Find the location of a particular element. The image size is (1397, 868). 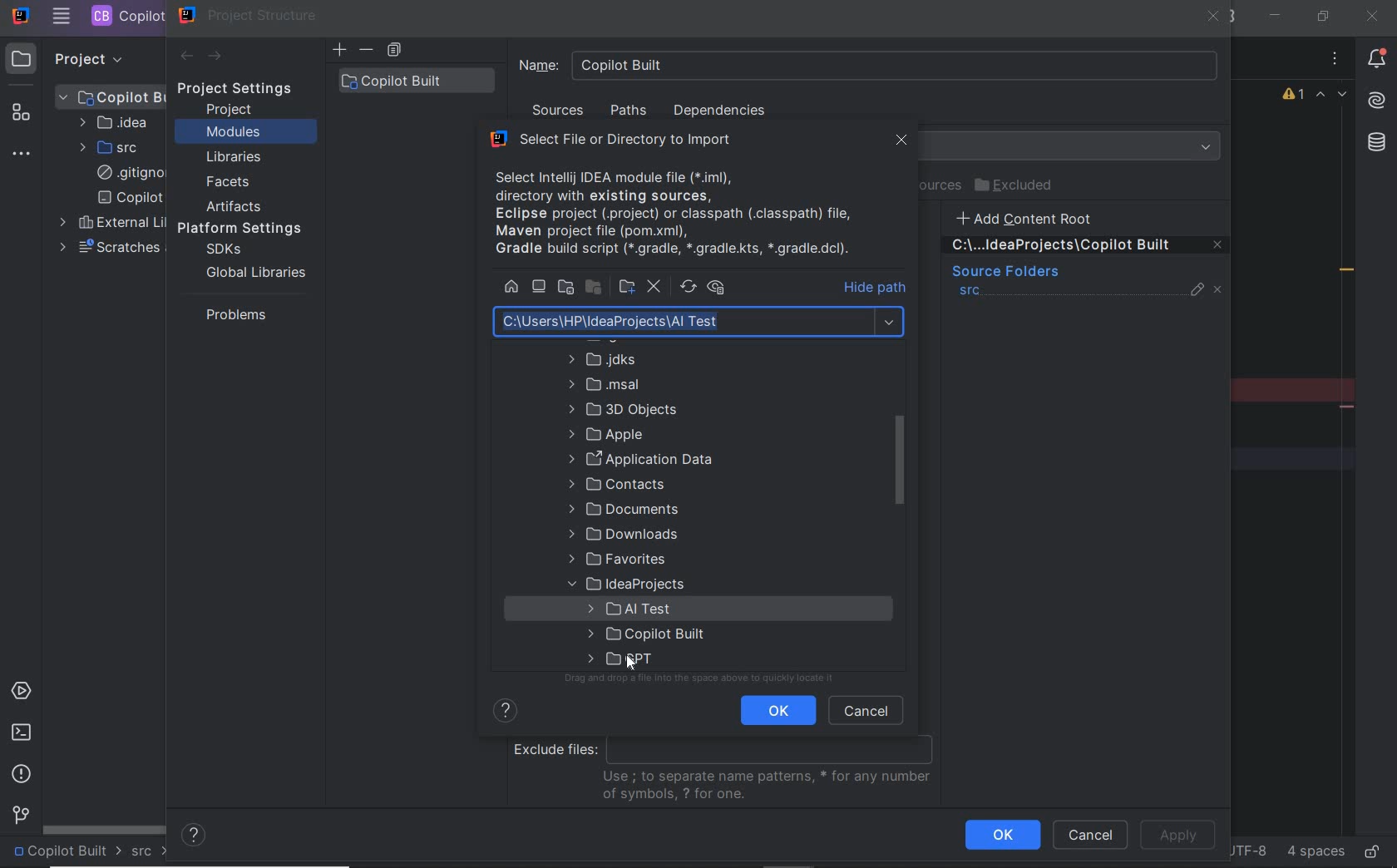

.gitignore is located at coordinates (127, 174).